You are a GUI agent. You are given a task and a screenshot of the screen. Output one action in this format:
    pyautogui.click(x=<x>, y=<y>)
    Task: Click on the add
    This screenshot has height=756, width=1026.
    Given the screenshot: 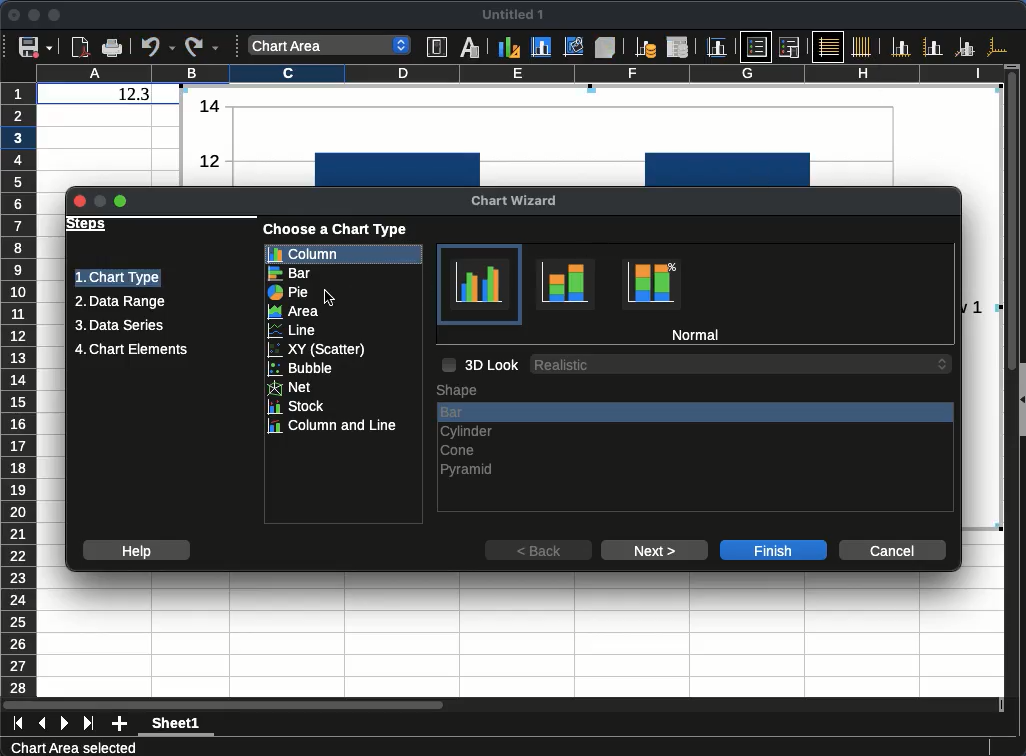 What is the action you would take?
    pyautogui.click(x=120, y=724)
    